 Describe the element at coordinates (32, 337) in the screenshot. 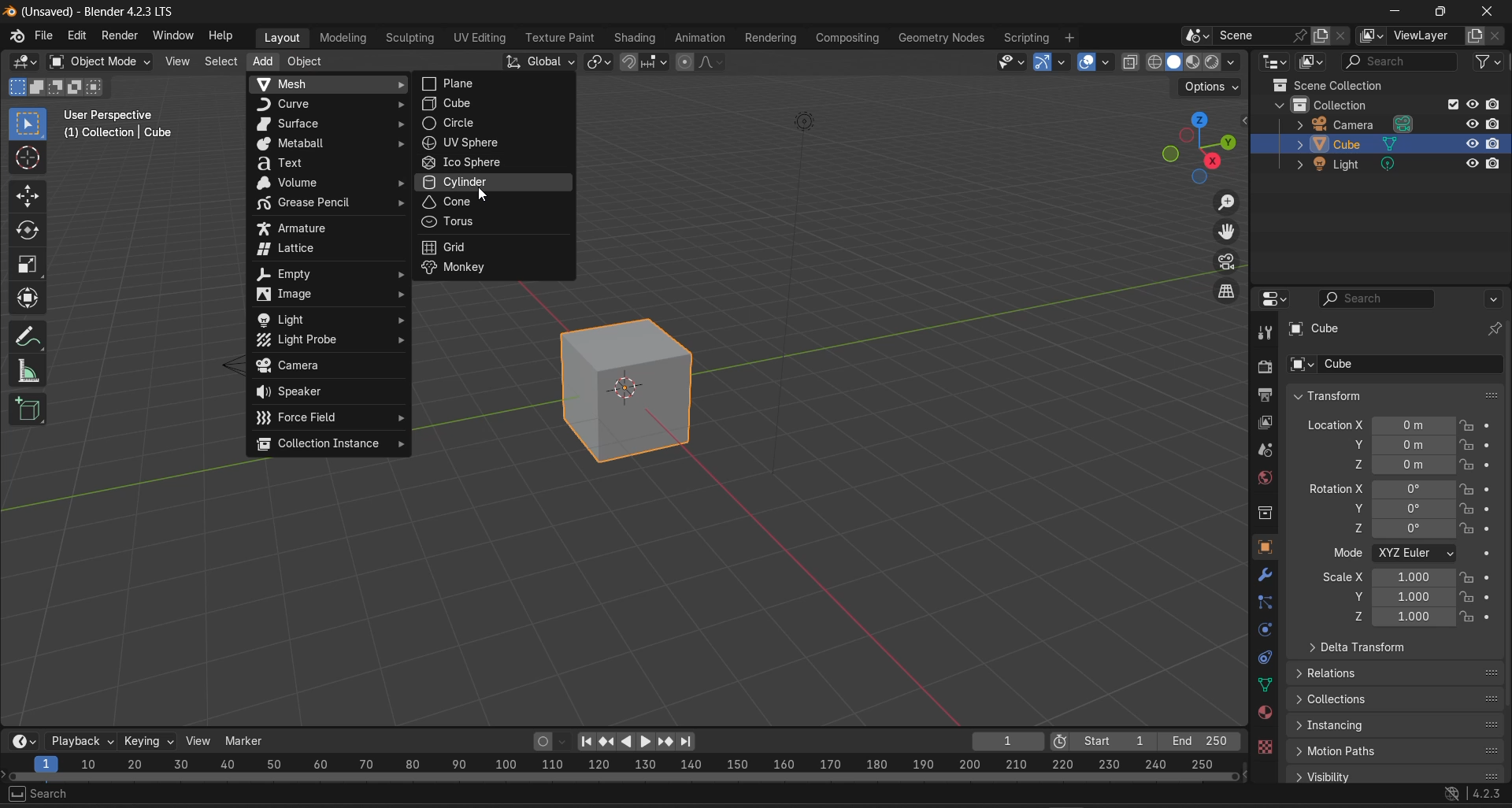

I see `annotate` at that location.